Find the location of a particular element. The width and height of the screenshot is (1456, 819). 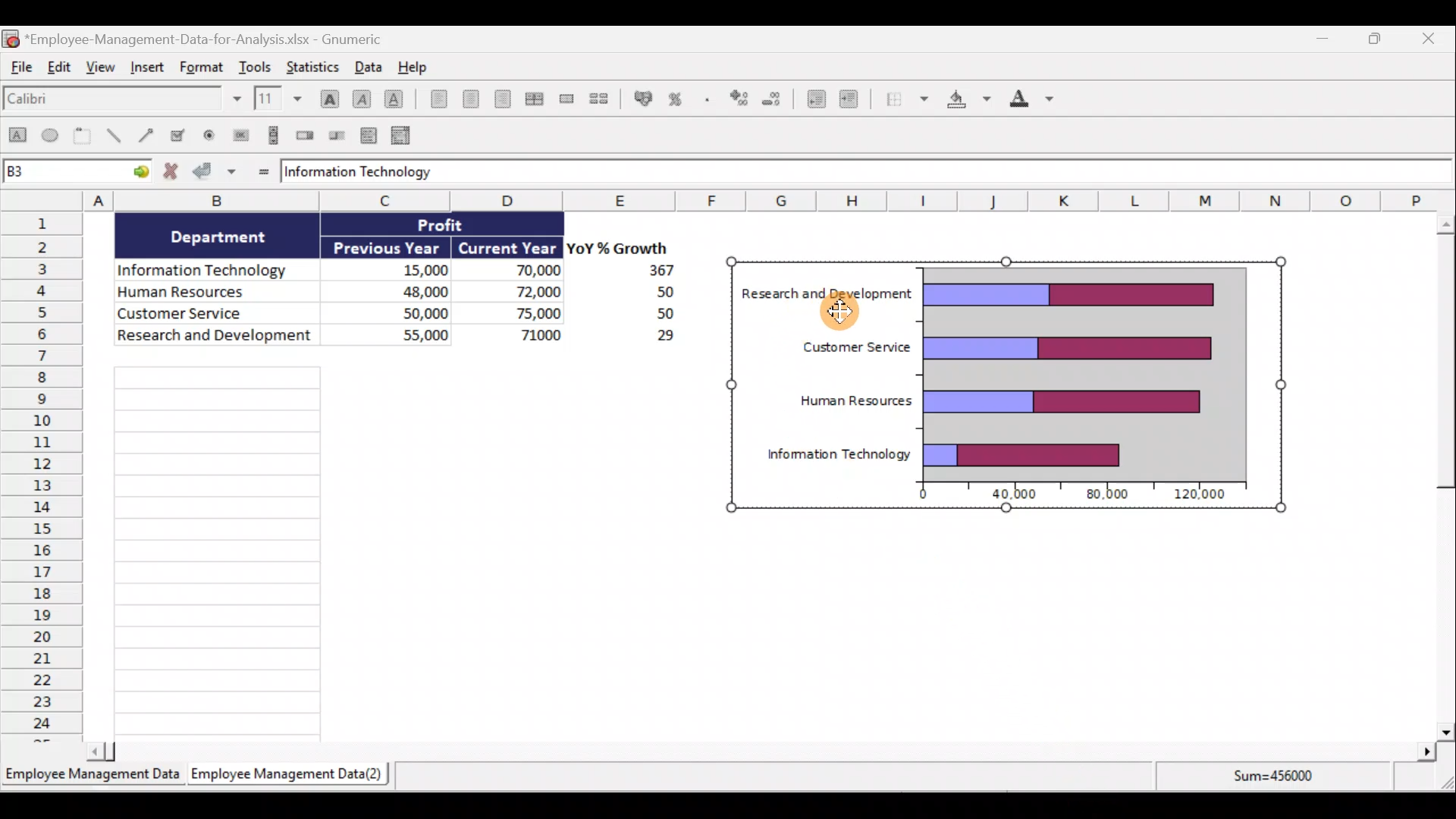

Decrease indent, align contents to the left is located at coordinates (814, 101).